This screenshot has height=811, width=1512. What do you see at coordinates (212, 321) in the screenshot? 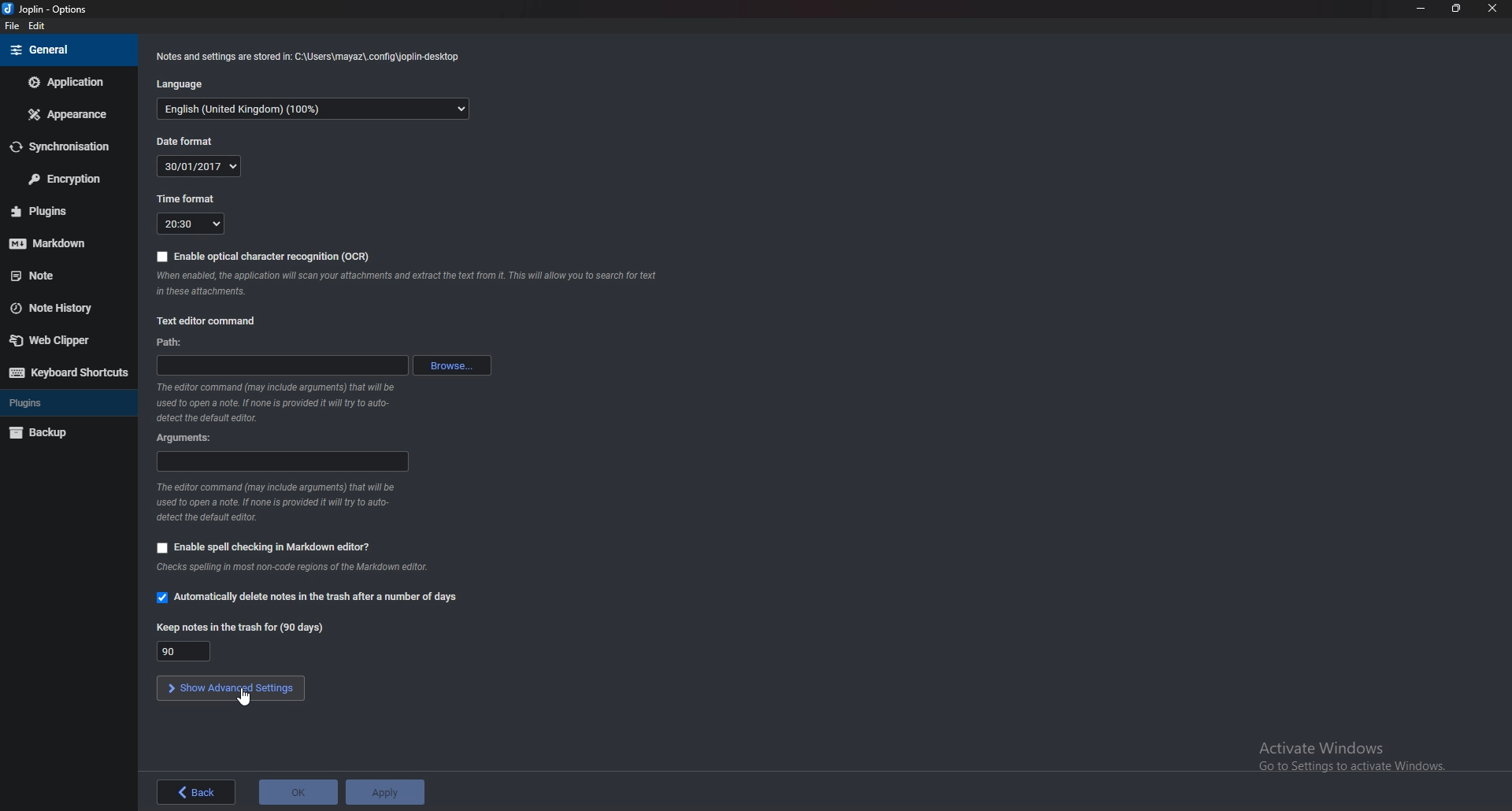
I see `Text editor command` at bounding box center [212, 321].